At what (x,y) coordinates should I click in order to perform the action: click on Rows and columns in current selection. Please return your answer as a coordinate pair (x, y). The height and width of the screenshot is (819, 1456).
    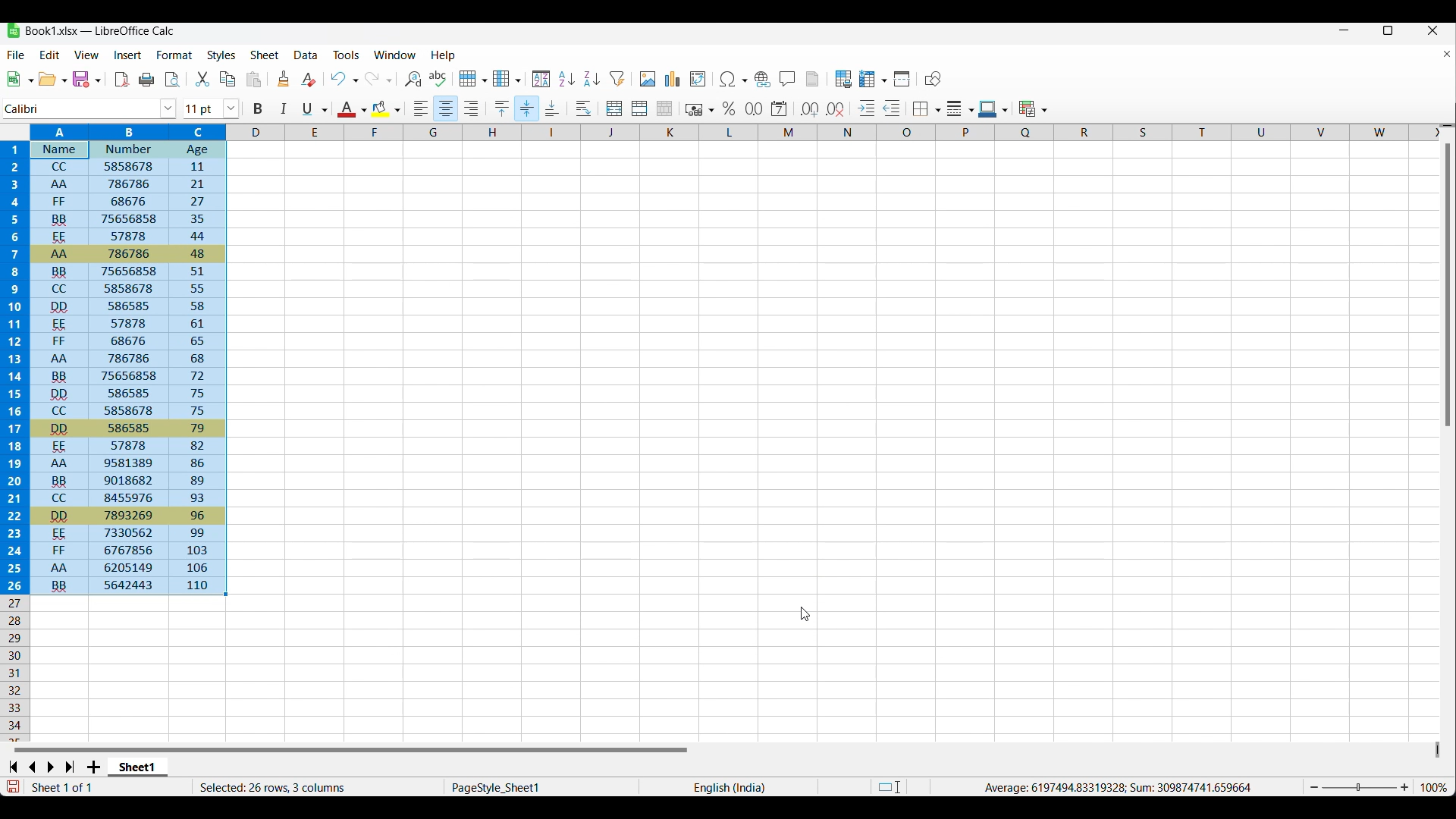
    Looking at the image, I should click on (317, 787).